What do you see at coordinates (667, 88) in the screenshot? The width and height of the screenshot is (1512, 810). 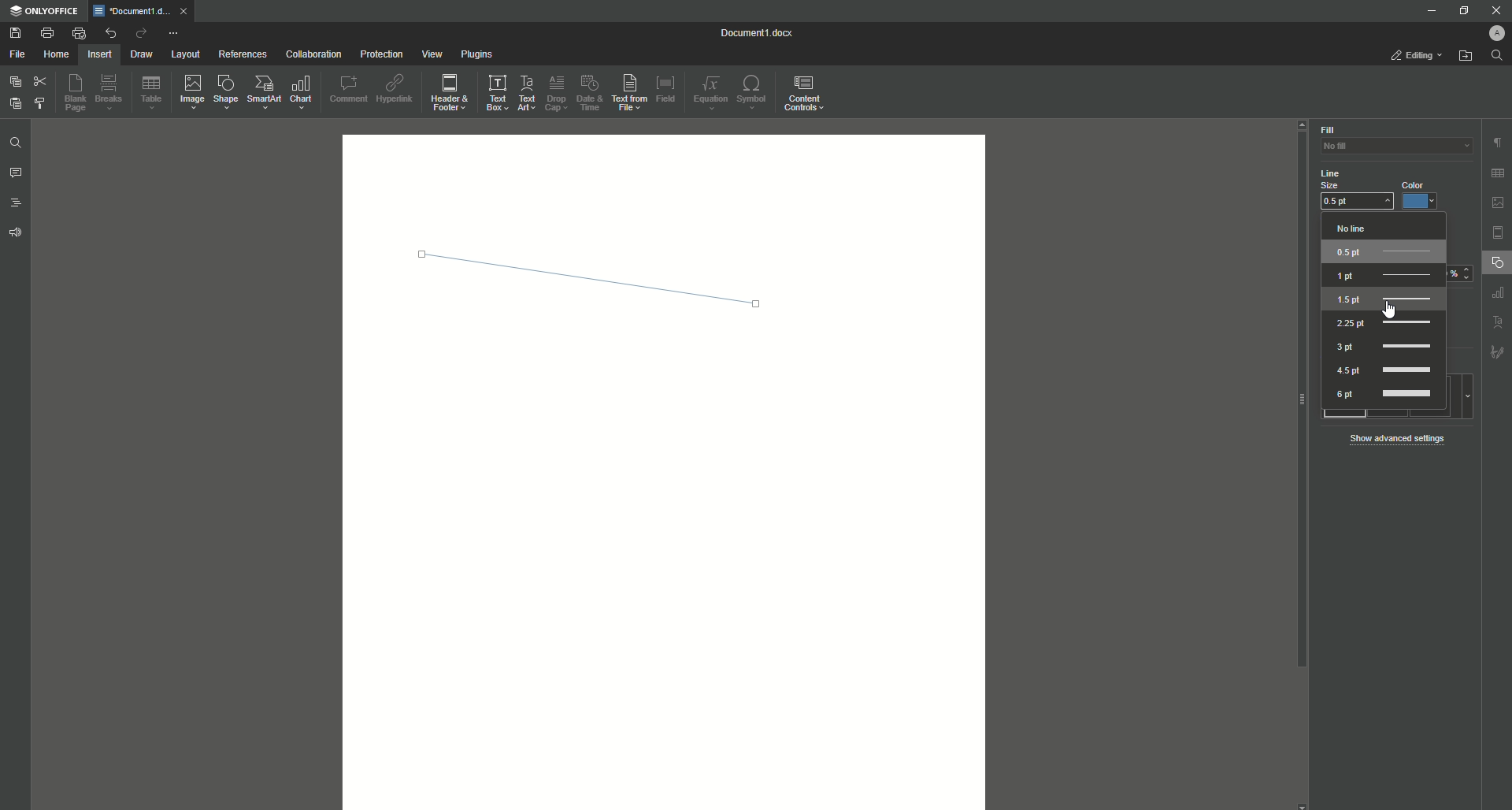 I see `Field` at bounding box center [667, 88].